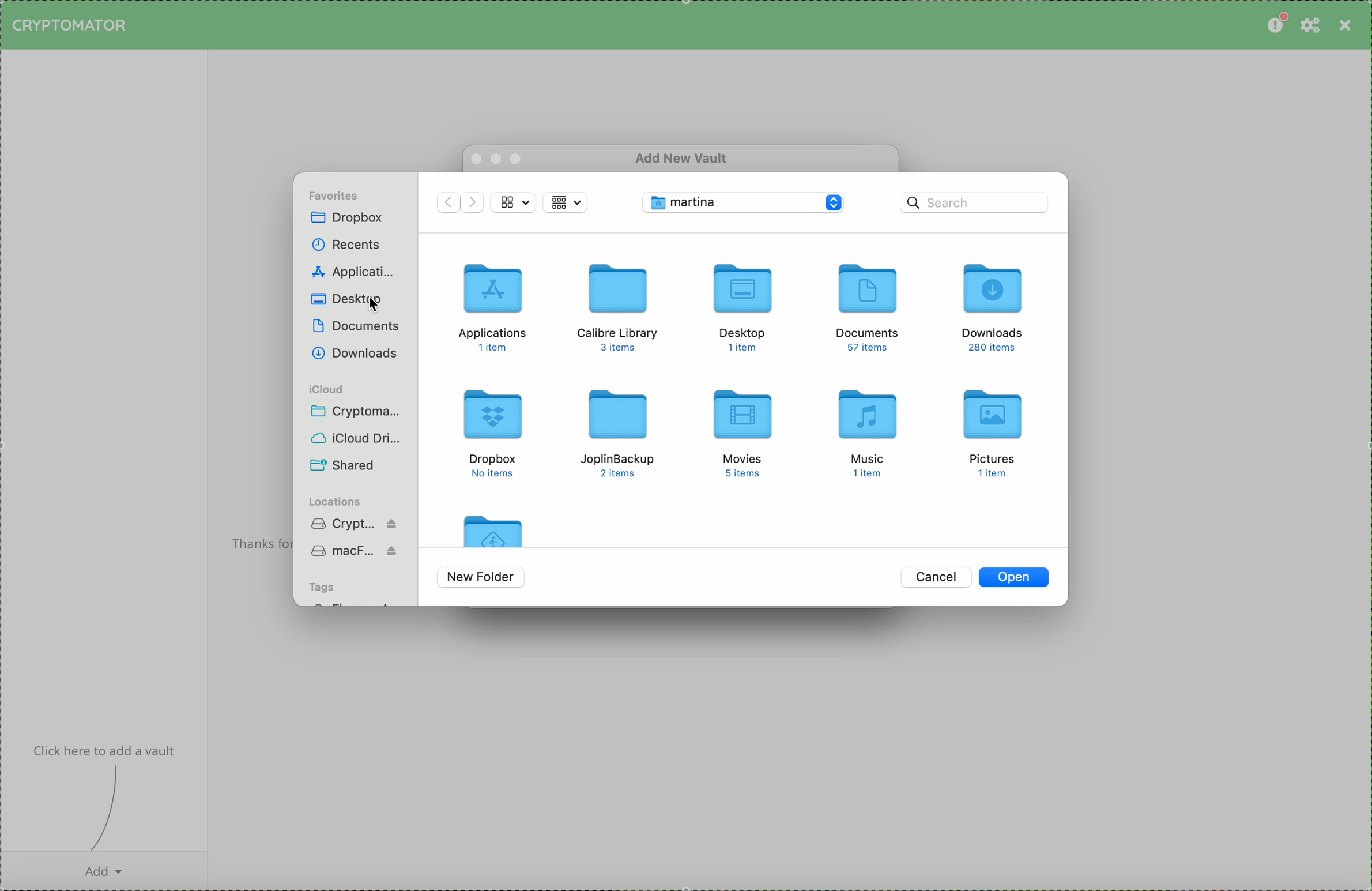 The width and height of the screenshot is (1372, 891). Describe the element at coordinates (868, 431) in the screenshot. I see `music` at that location.